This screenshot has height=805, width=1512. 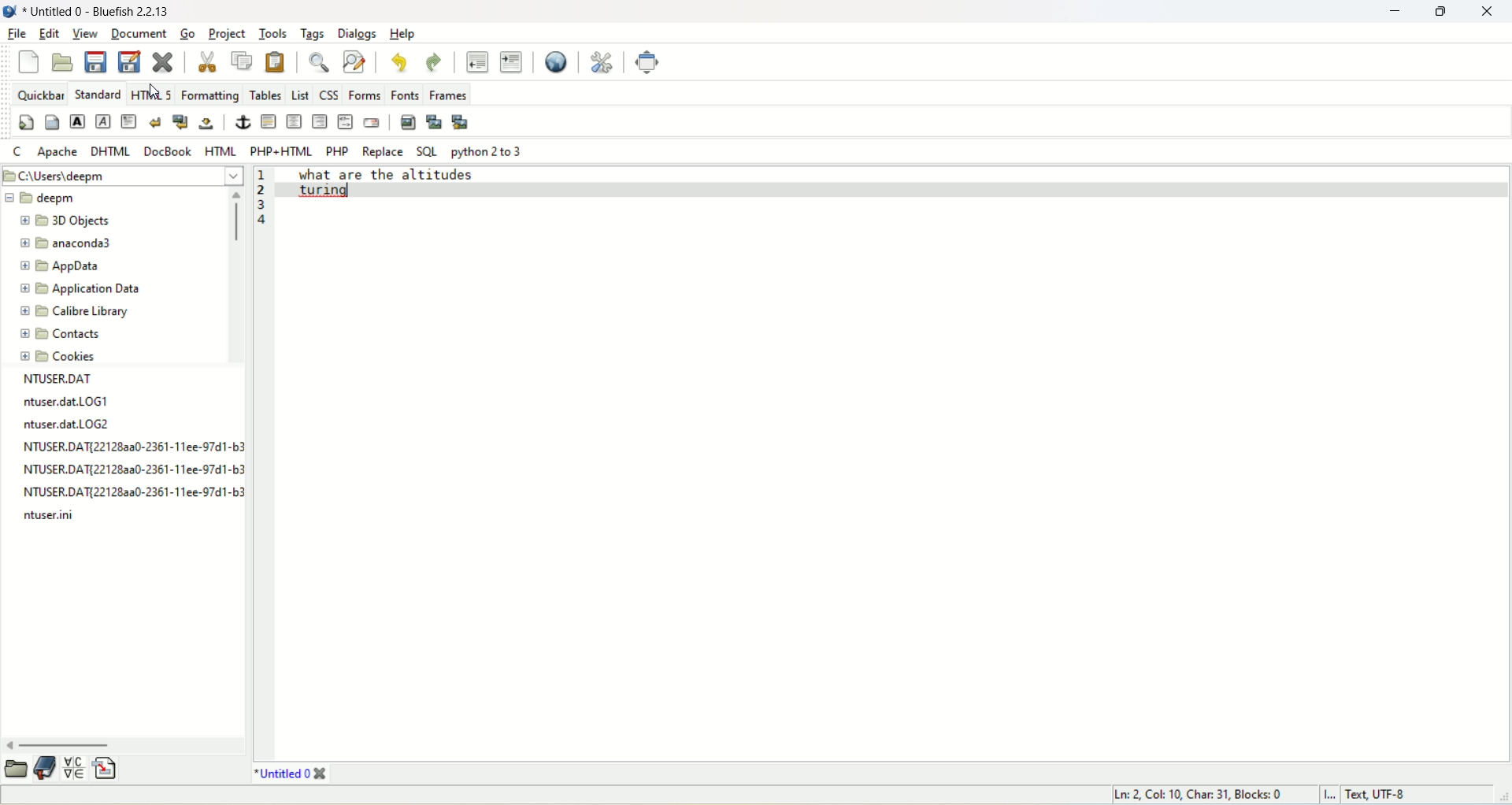 What do you see at coordinates (426, 150) in the screenshot?
I see `SQL` at bounding box center [426, 150].